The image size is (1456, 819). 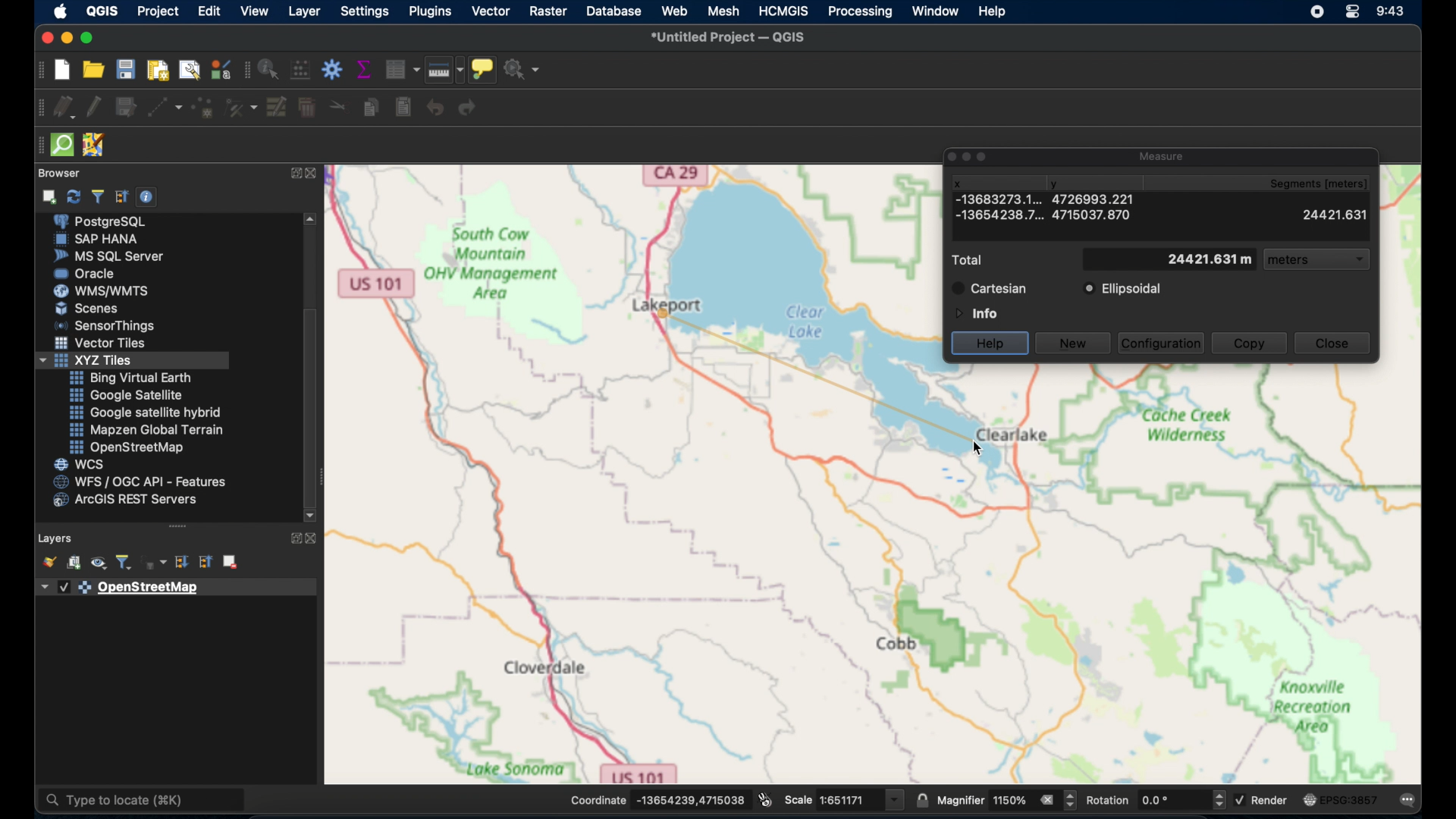 I want to click on settings, so click(x=366, y=11).